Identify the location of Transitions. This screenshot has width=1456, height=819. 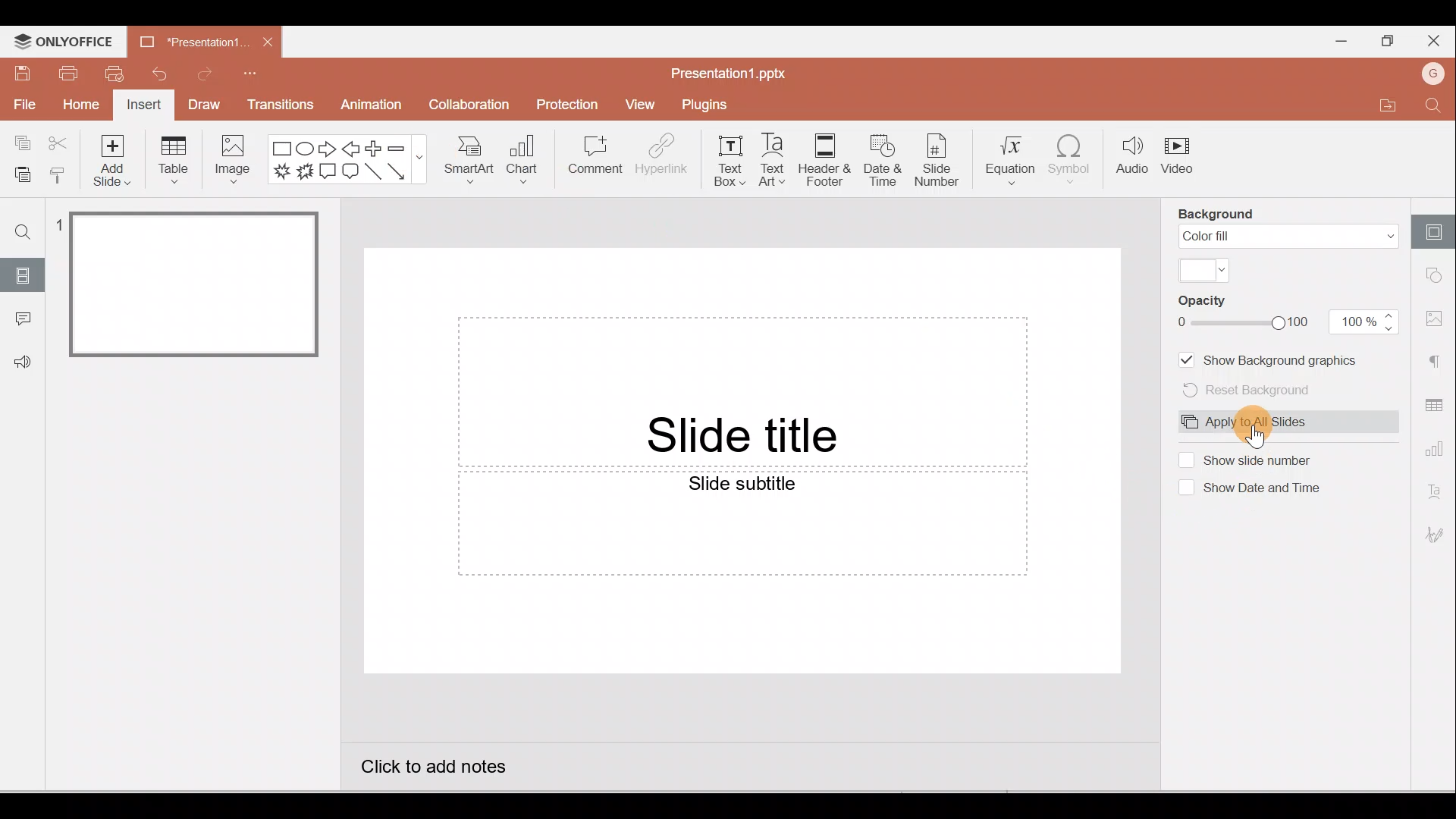
(281, 105).